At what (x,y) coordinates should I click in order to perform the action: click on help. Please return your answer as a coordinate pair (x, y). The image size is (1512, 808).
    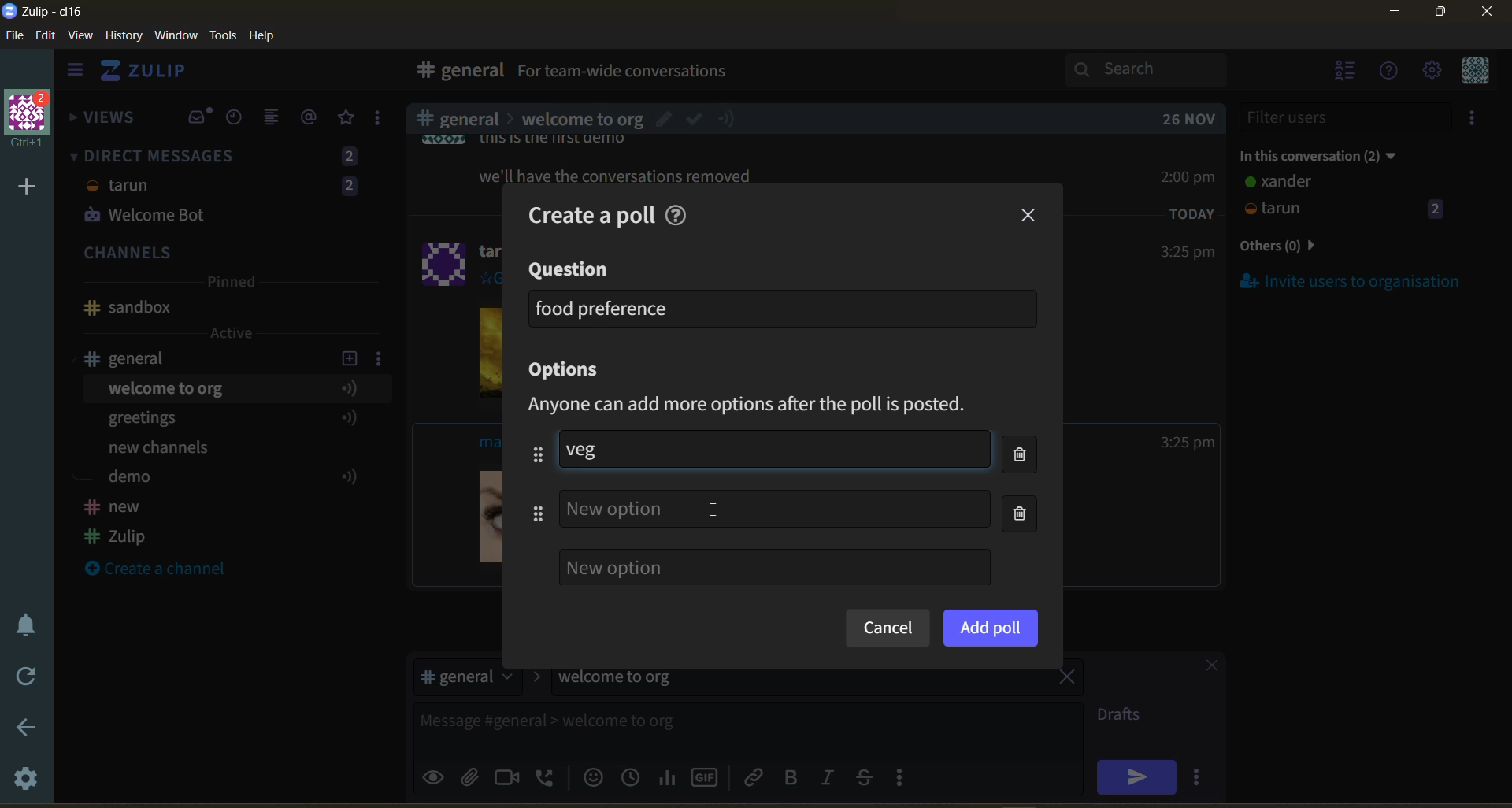
    Looking at the image, I should click on (680, 213).